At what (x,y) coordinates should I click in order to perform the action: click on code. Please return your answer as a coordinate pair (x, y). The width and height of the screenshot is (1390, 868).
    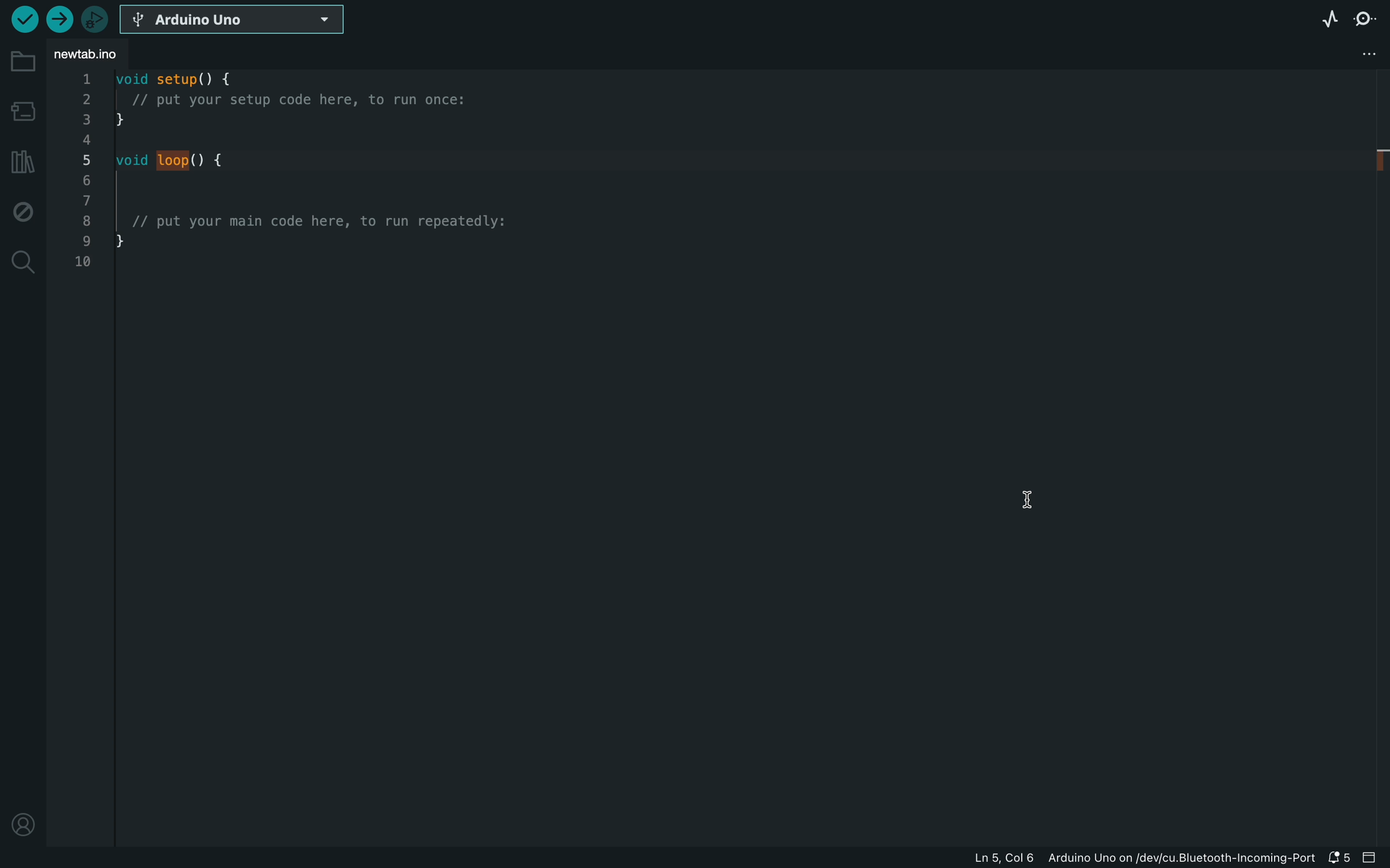
    Looking at the image, I should click on (303, 177).